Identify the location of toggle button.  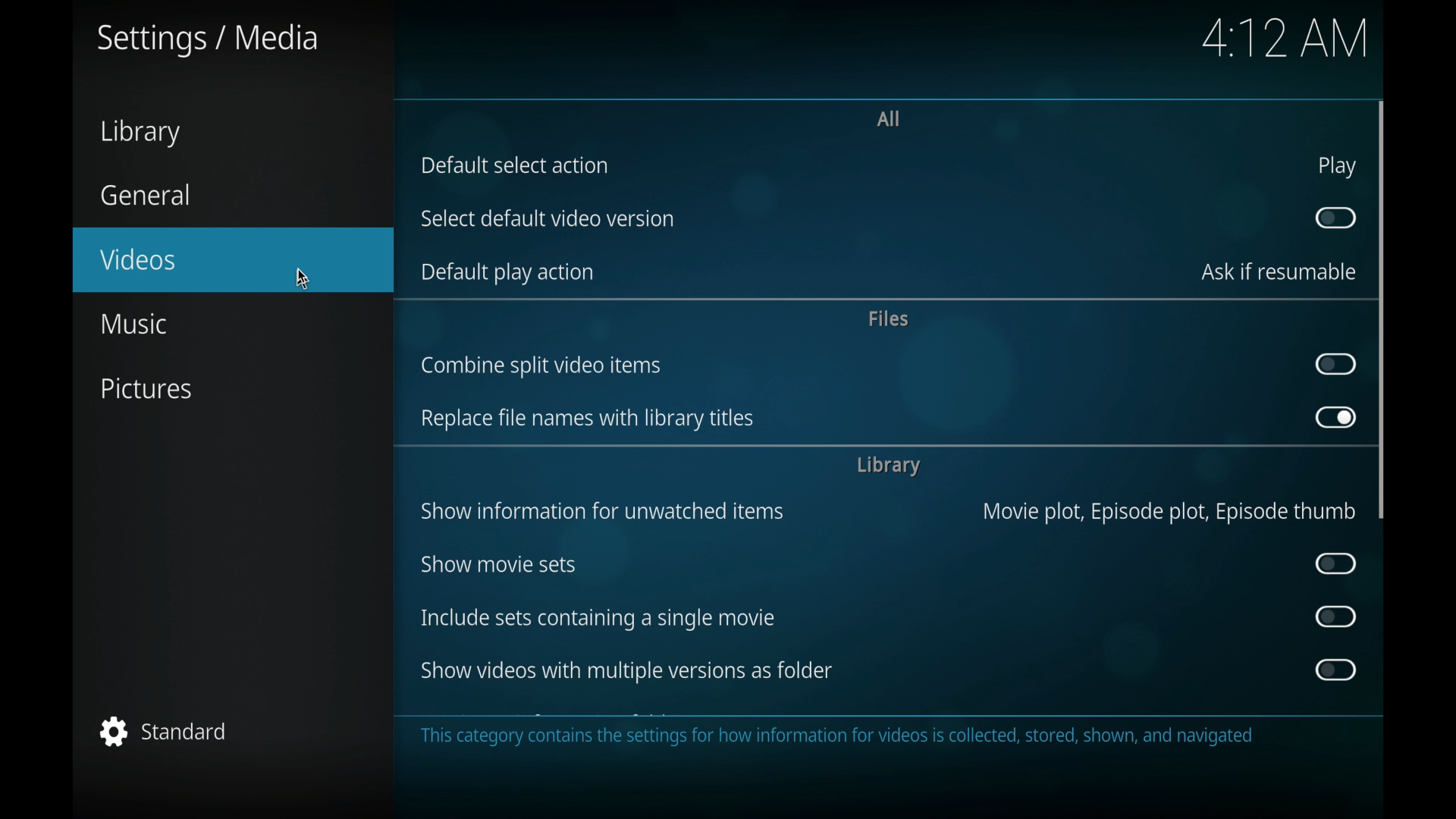
(1336, 418).